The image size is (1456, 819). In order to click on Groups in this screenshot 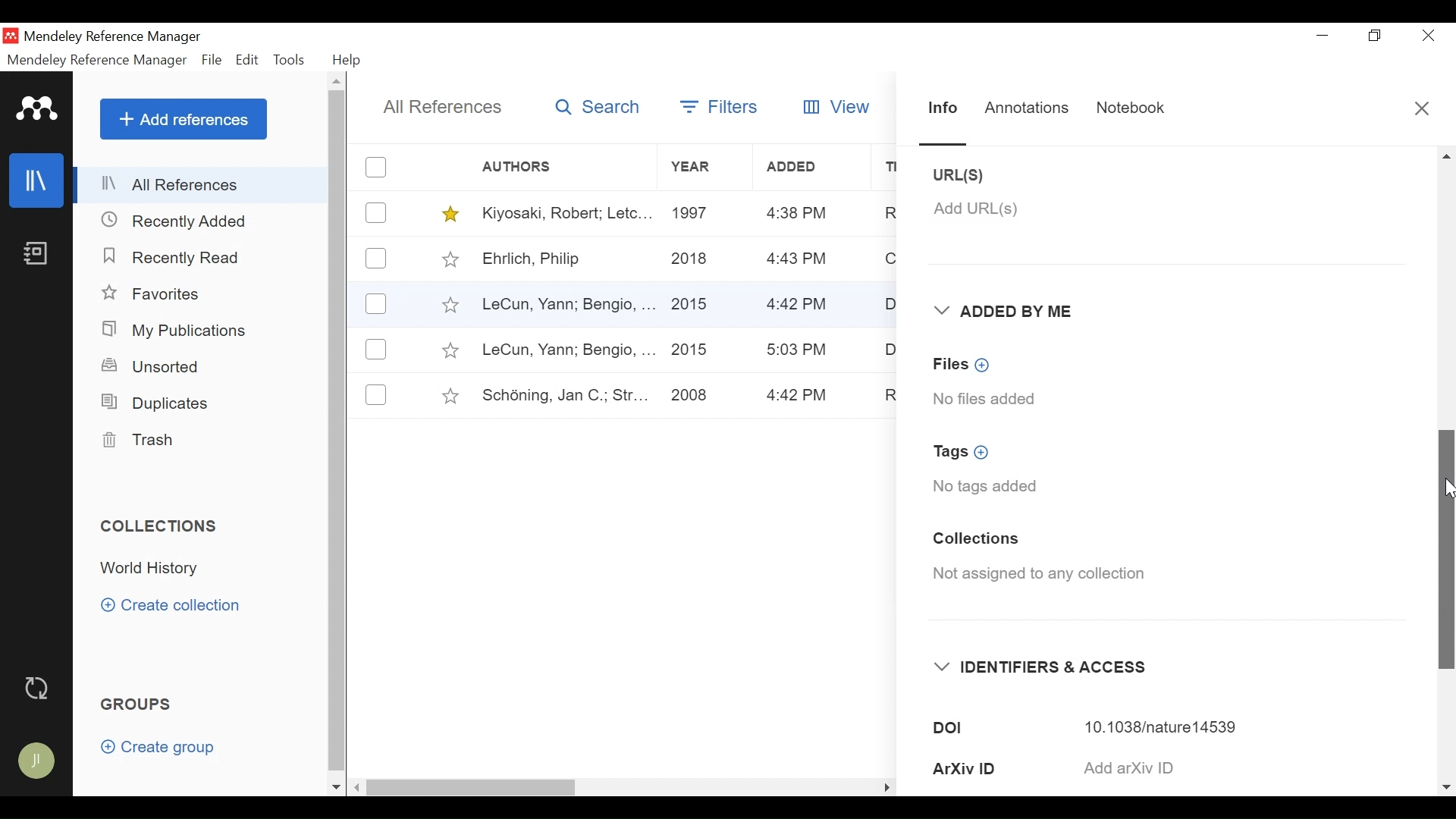, I will do `click(140, 705)`.